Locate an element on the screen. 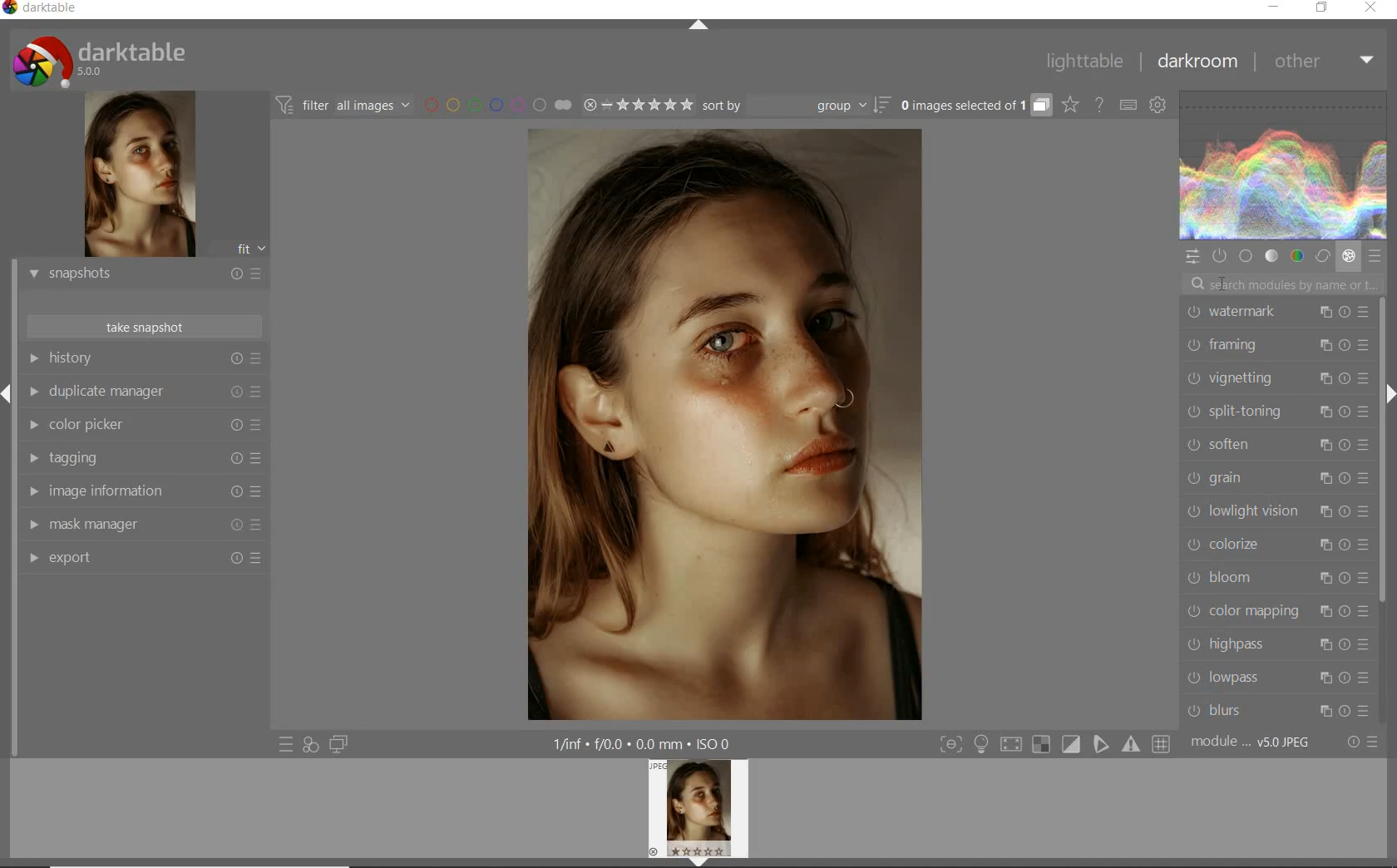 The image size is (1397, 868). minimize is located at coordinates (1273, 7).